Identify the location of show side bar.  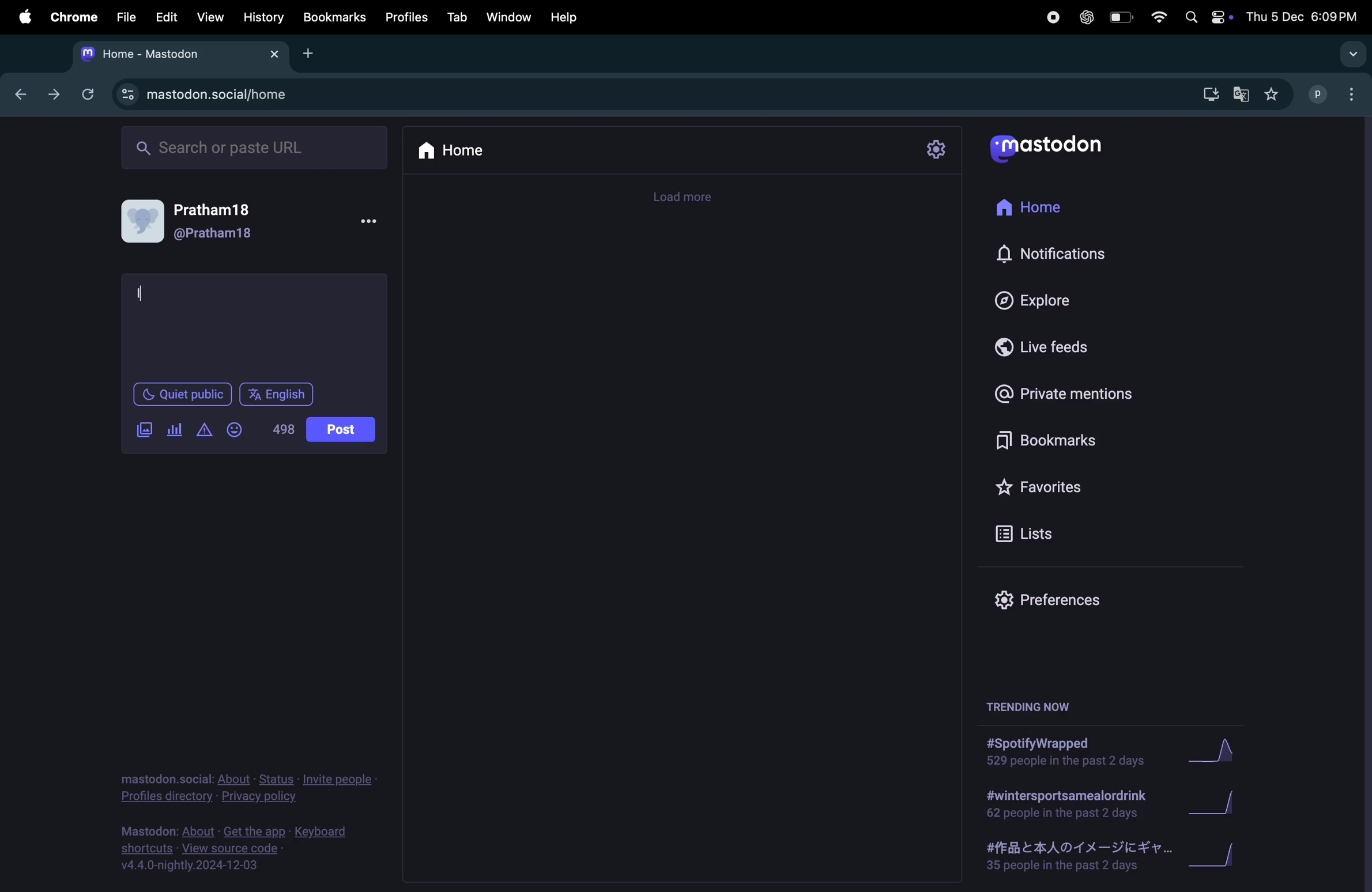
(1352, 54).